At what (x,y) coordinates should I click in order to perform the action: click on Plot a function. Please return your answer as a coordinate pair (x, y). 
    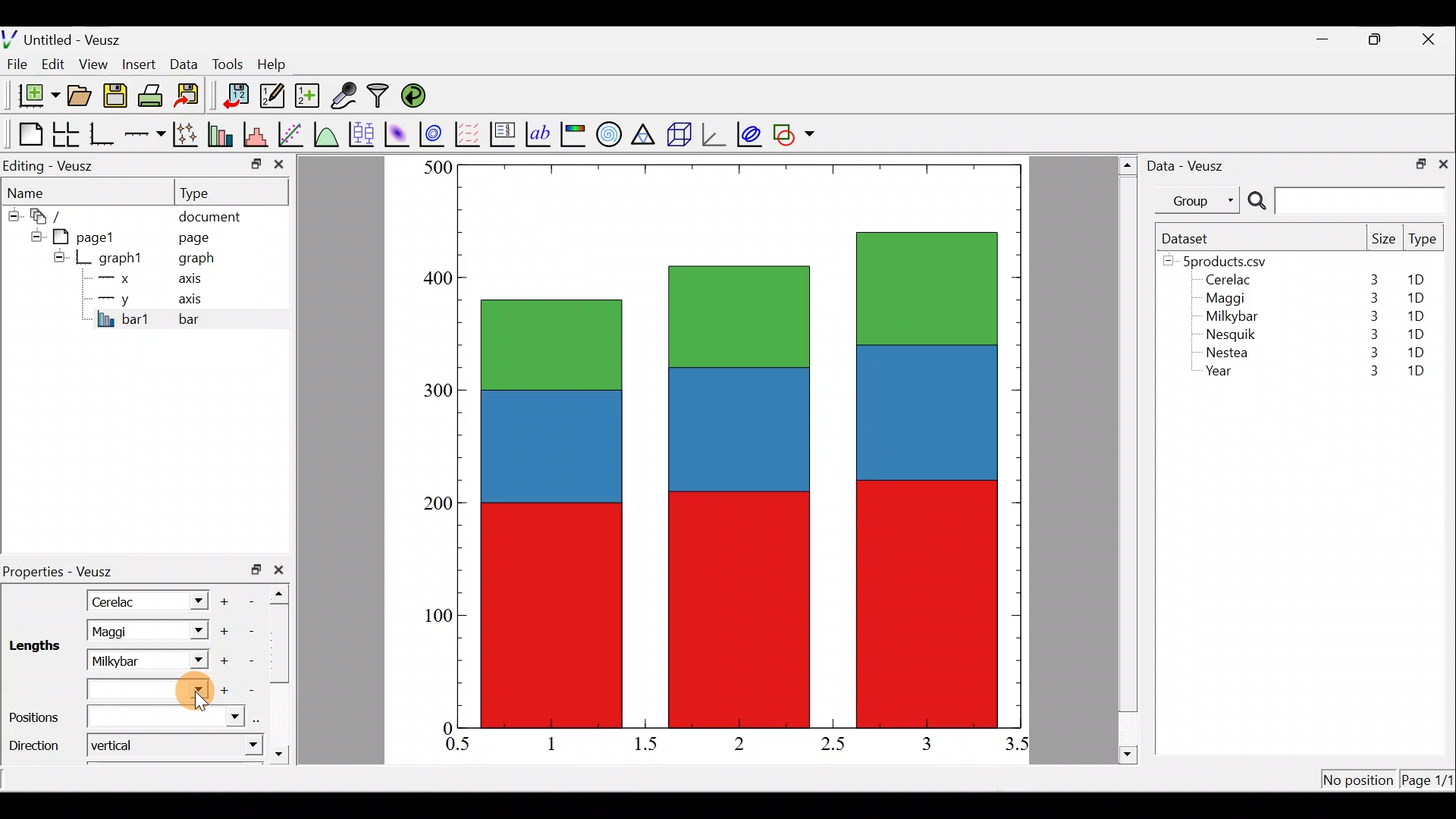
    Looking at the image, I should click on (327, 133).